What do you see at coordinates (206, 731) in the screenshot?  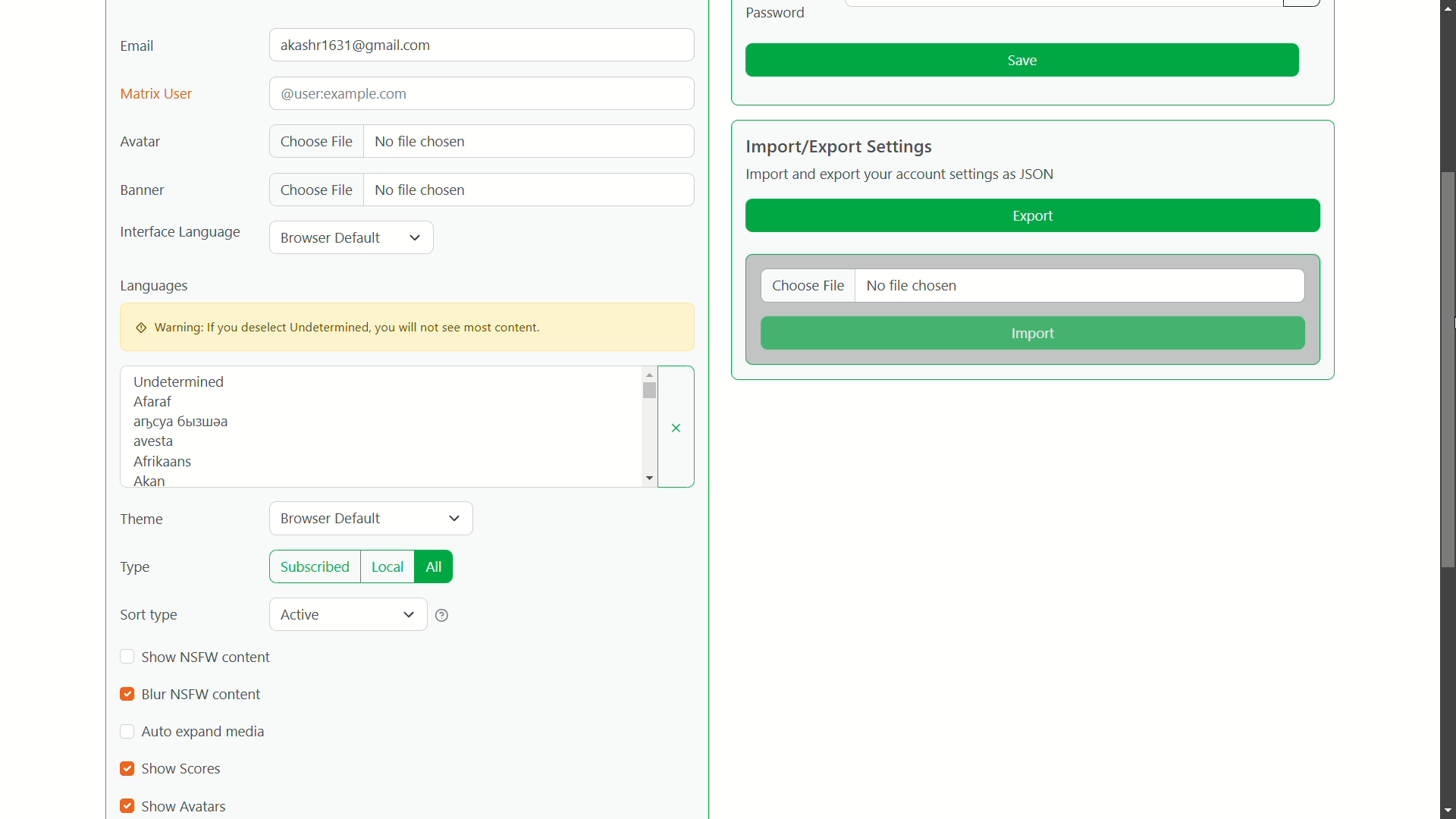 I see `auto expand media` at bounding box center [206, 731].